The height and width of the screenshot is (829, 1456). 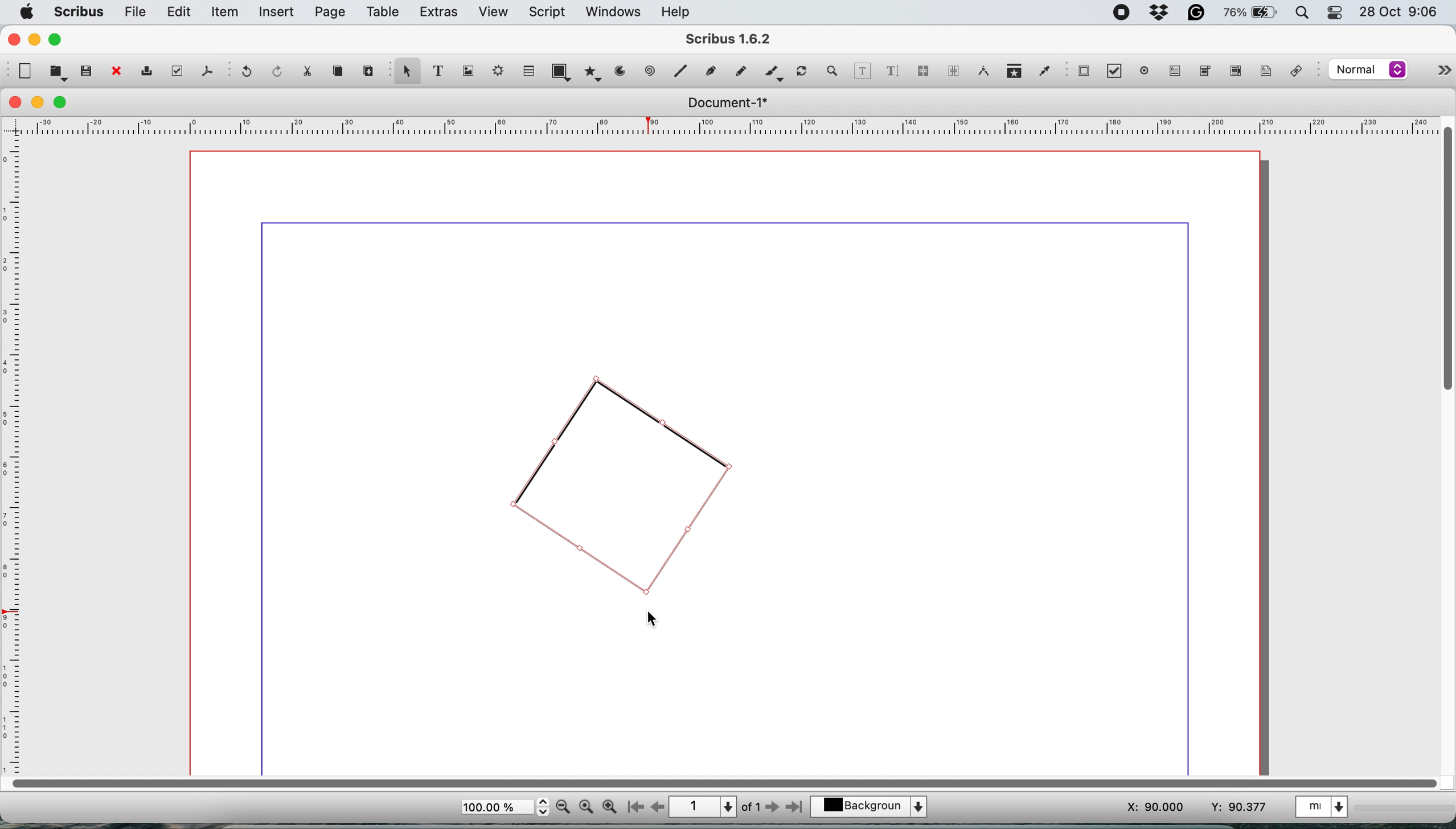 What do you see at coordinates (178, 72) in the screenshot?
I see `pre flight verifier` at bounding box center [178, 72].